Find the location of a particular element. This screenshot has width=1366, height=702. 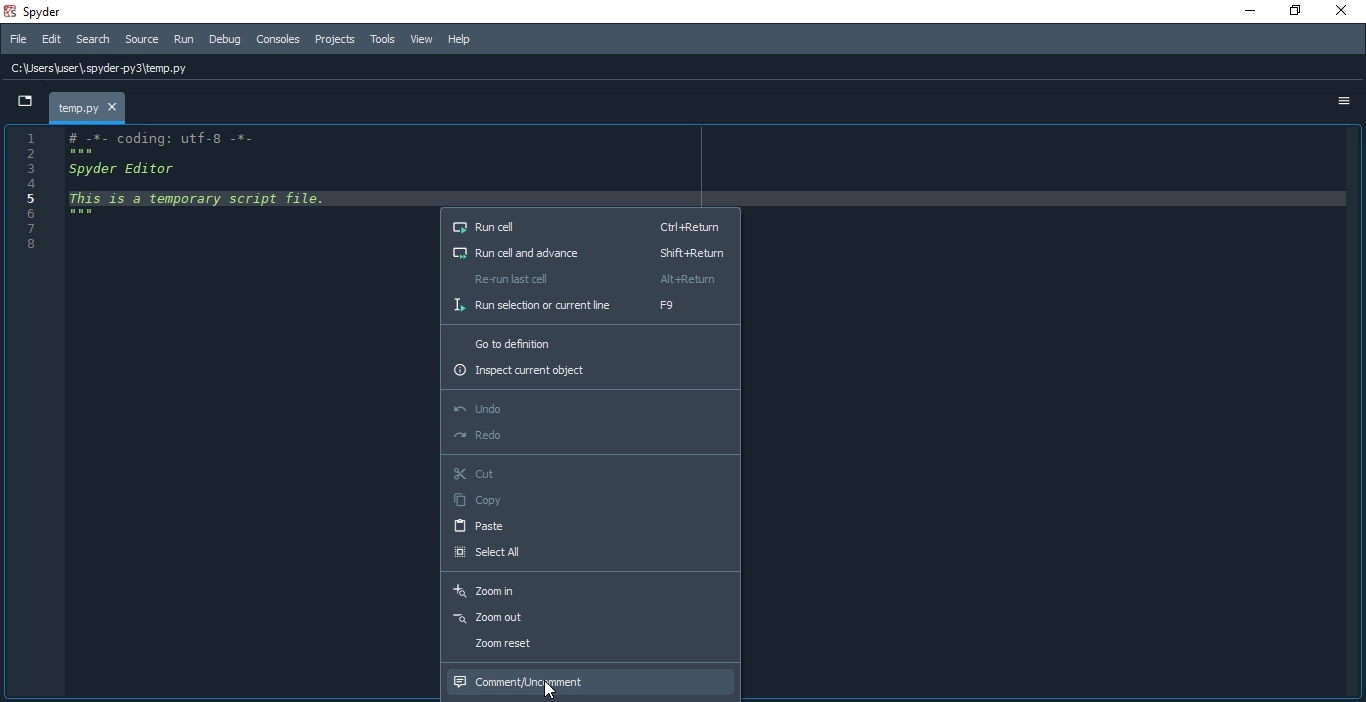

file location is located at coordinates (110, 67).